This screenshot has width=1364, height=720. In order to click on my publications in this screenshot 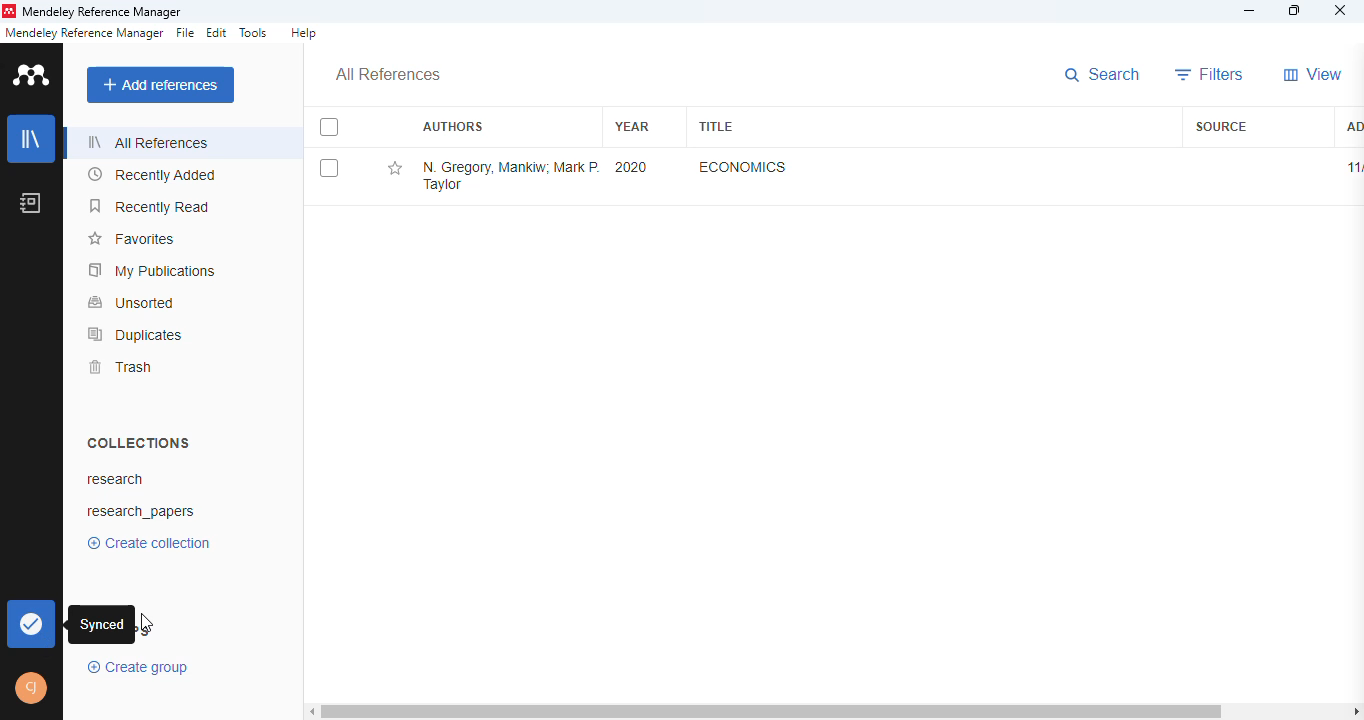, I will do `click(152, 269)`.